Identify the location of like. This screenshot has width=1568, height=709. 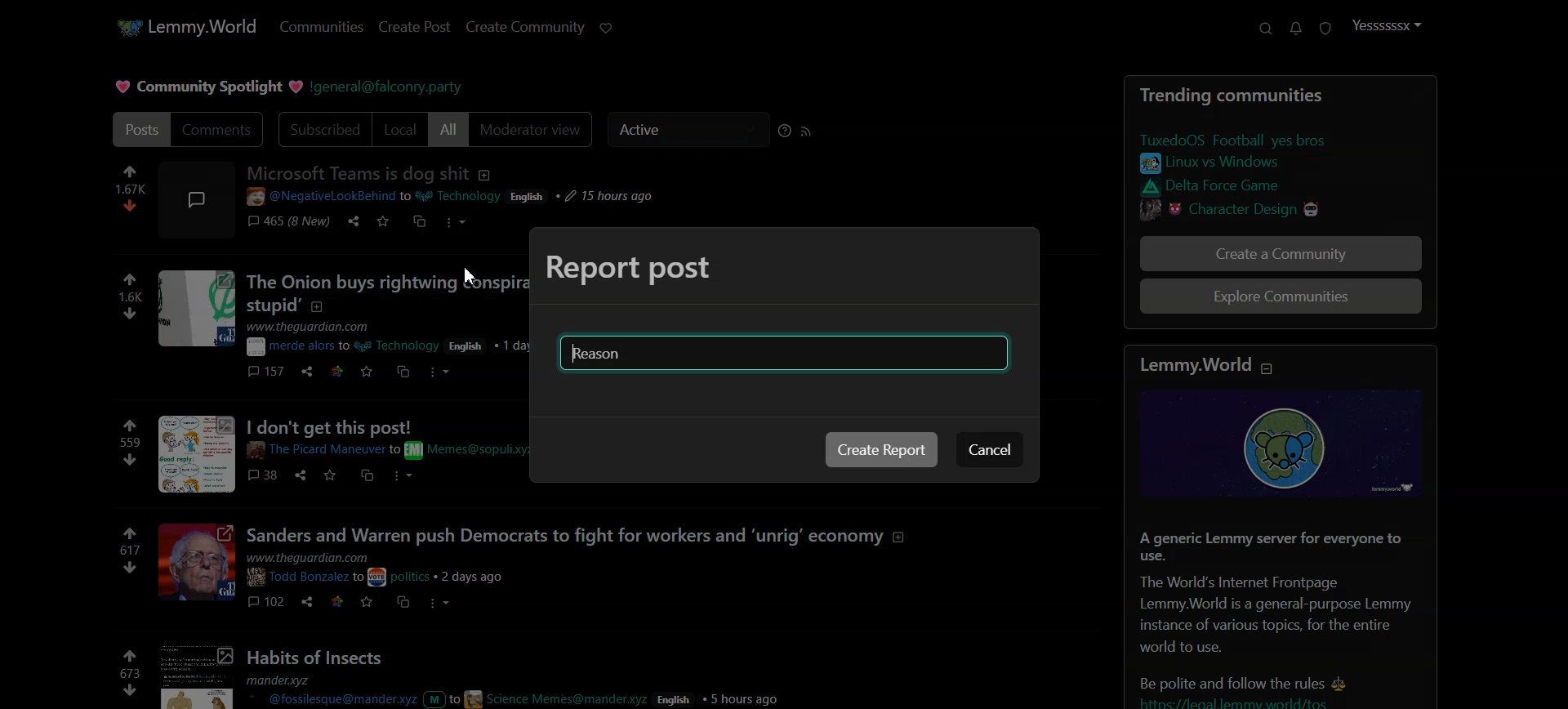
(131, 426).